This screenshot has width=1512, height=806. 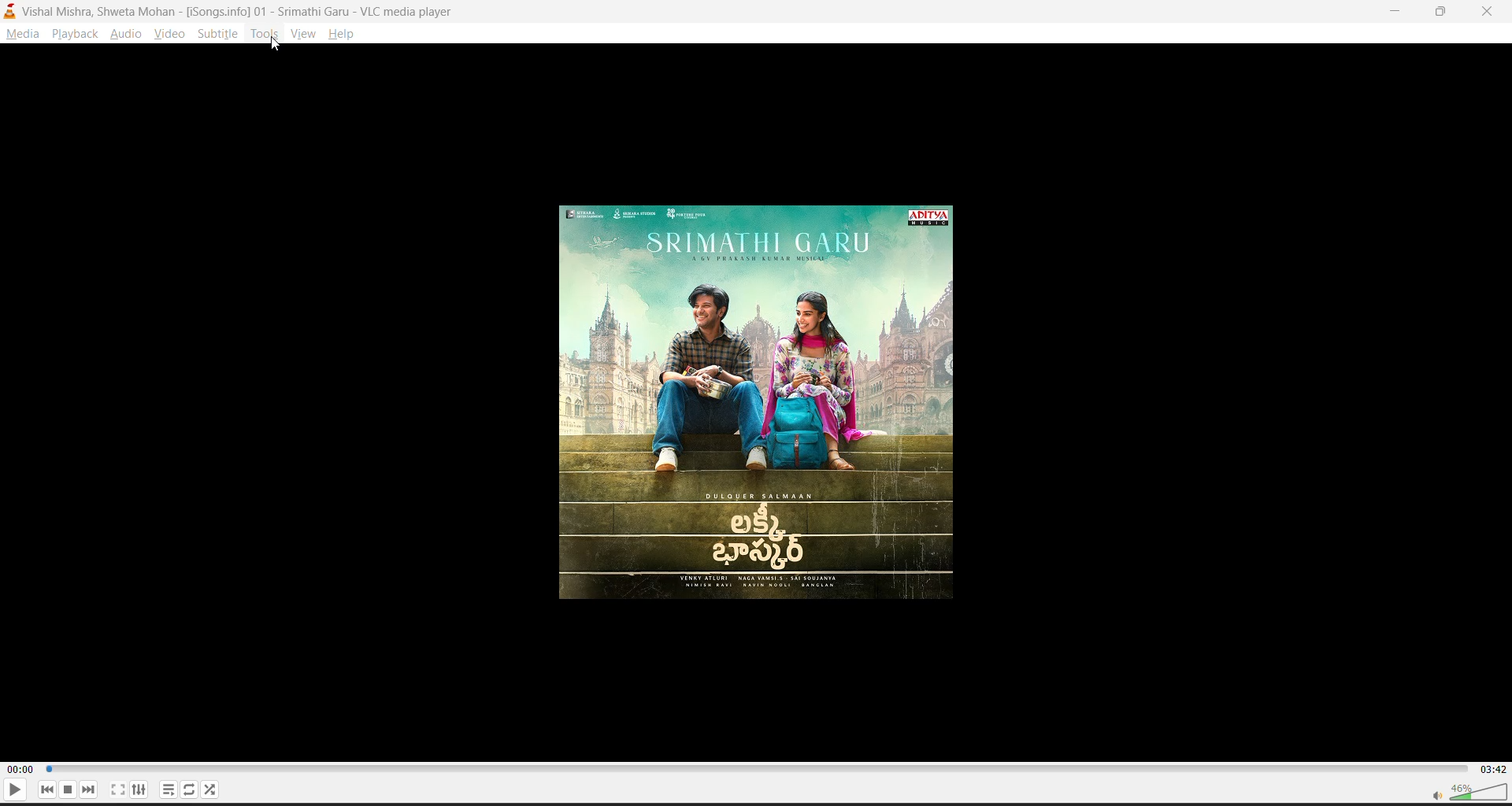 What do you see at coordinates (65, 788) in the screenshot?
I see `stop` at bounding box center [65, 788].